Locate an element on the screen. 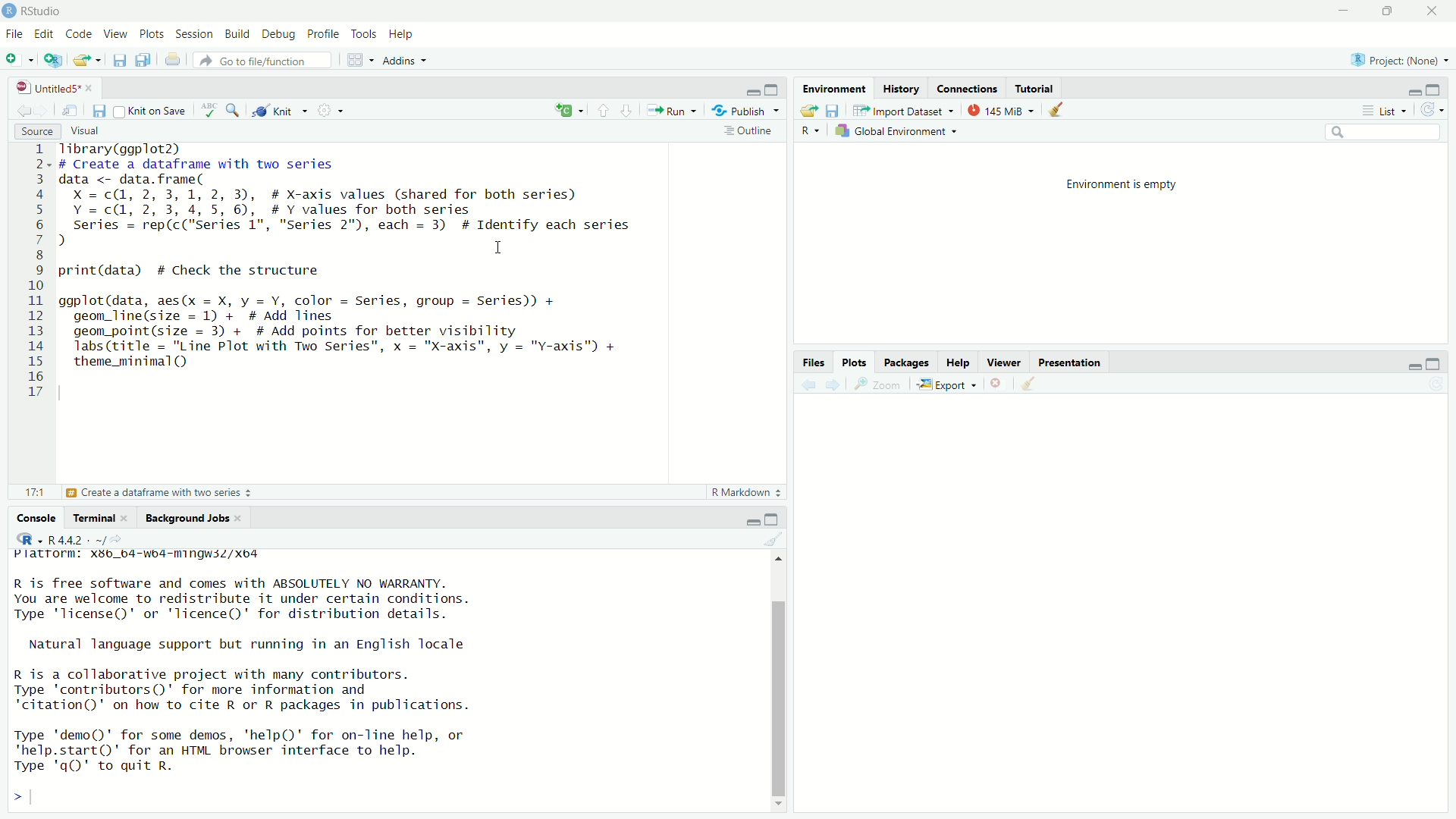  Open an existing file is located at coordinates (86, 60).